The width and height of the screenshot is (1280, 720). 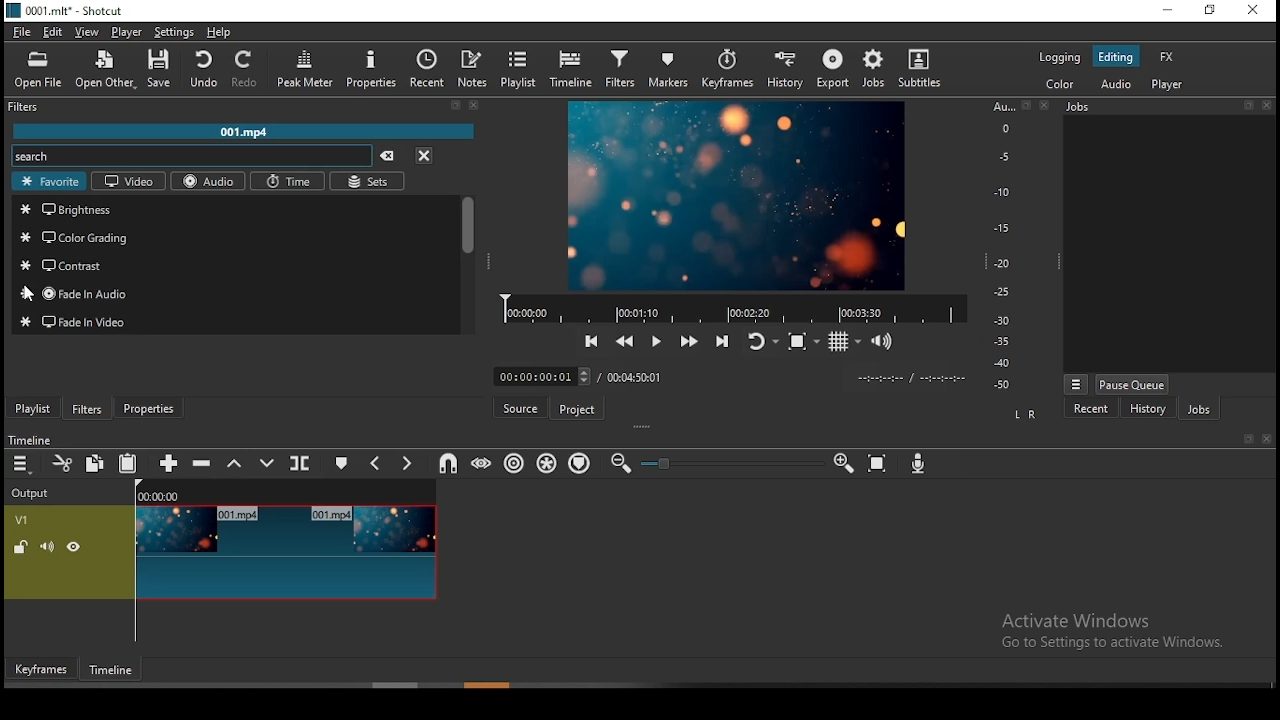 What do you see at coordinates (620, 464) in the screenshot?
I see `zoom timeline out` at bounding box center [620, 464].